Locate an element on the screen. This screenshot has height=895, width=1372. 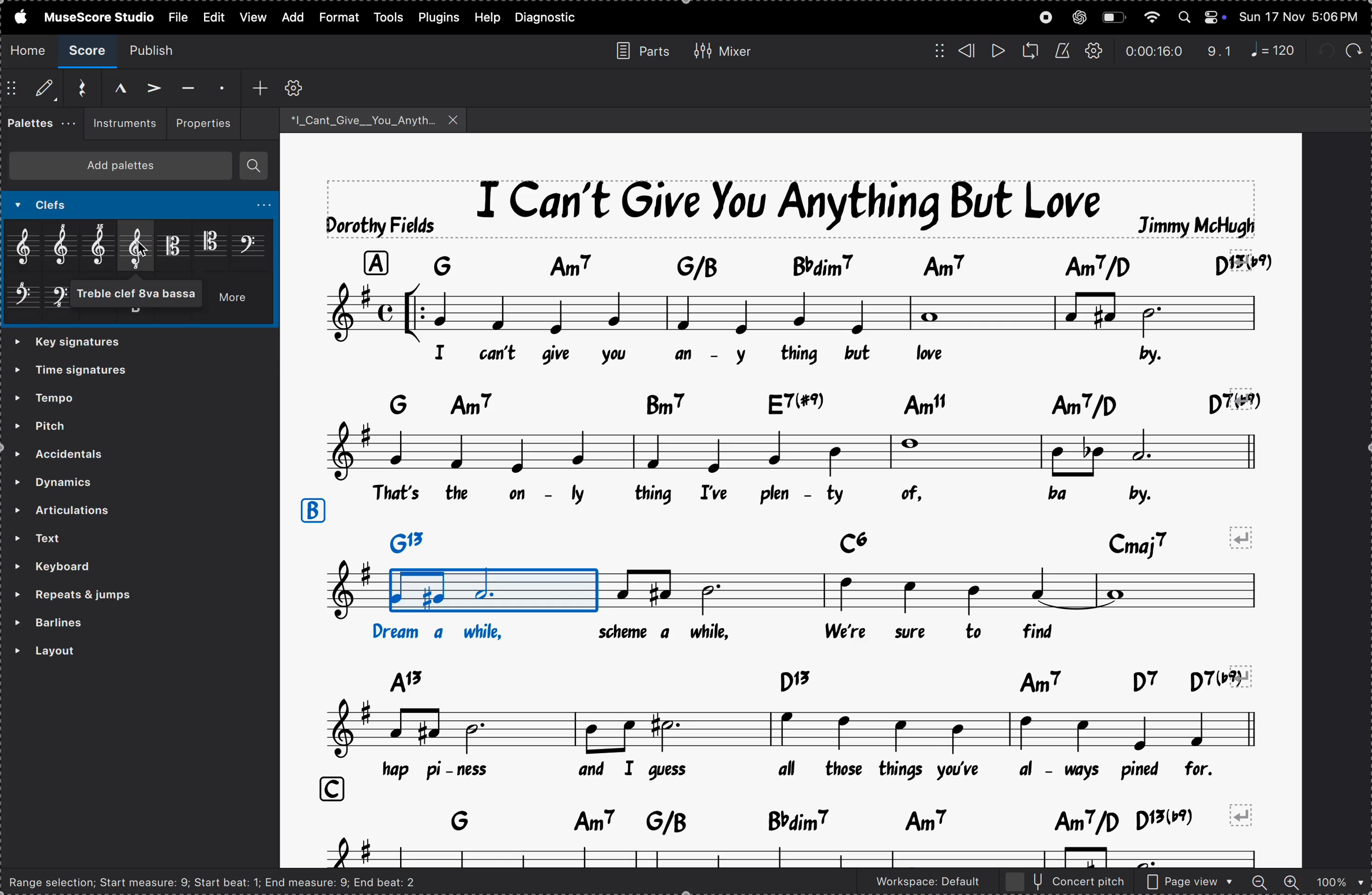
metronome is located at coordinates (1062, 51).